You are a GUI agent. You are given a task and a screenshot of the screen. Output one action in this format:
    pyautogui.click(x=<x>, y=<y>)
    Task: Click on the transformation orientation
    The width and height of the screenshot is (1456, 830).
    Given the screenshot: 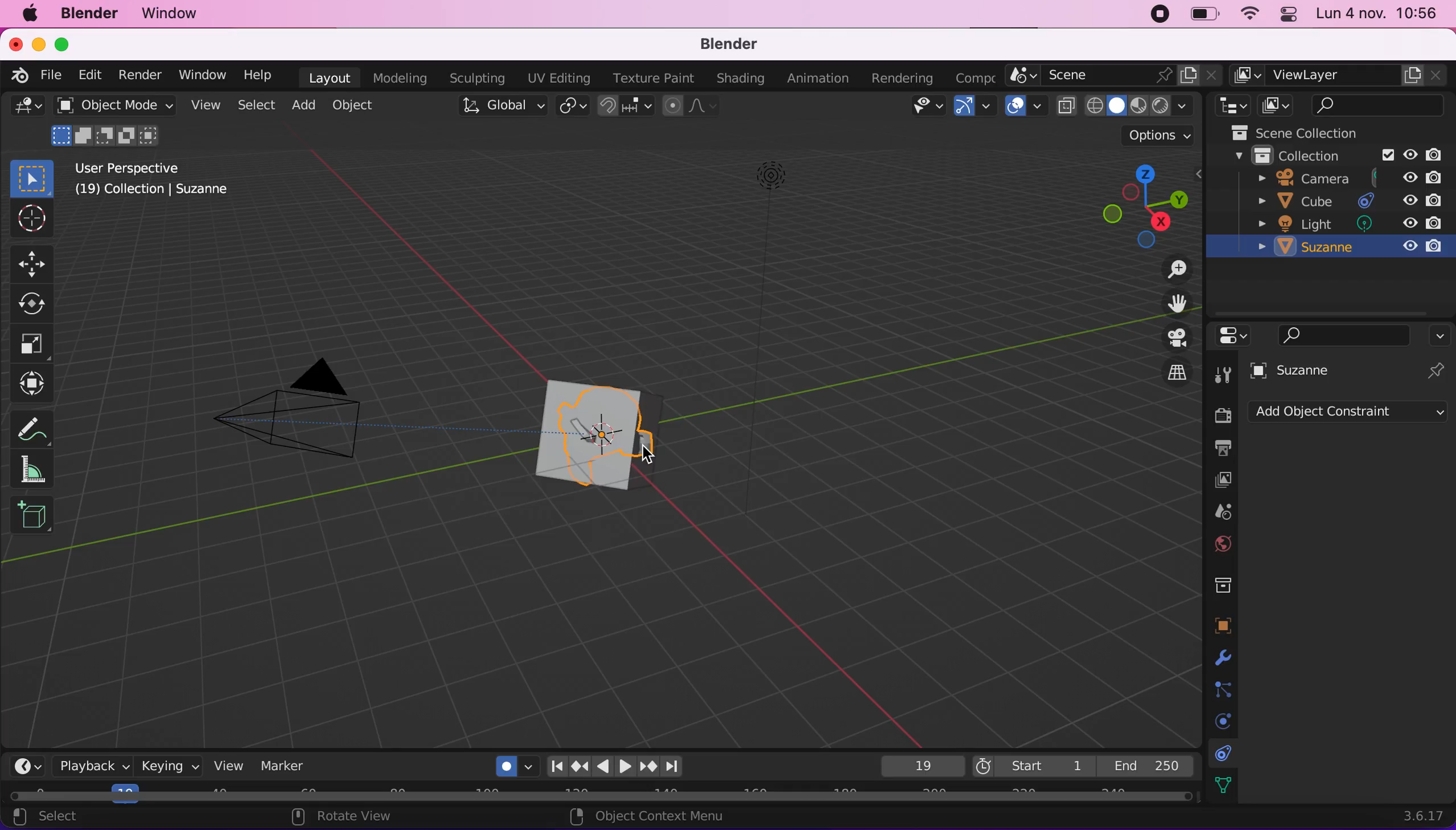 What is the action you would take?
    pyautogui.click(x=501, y=106)
    